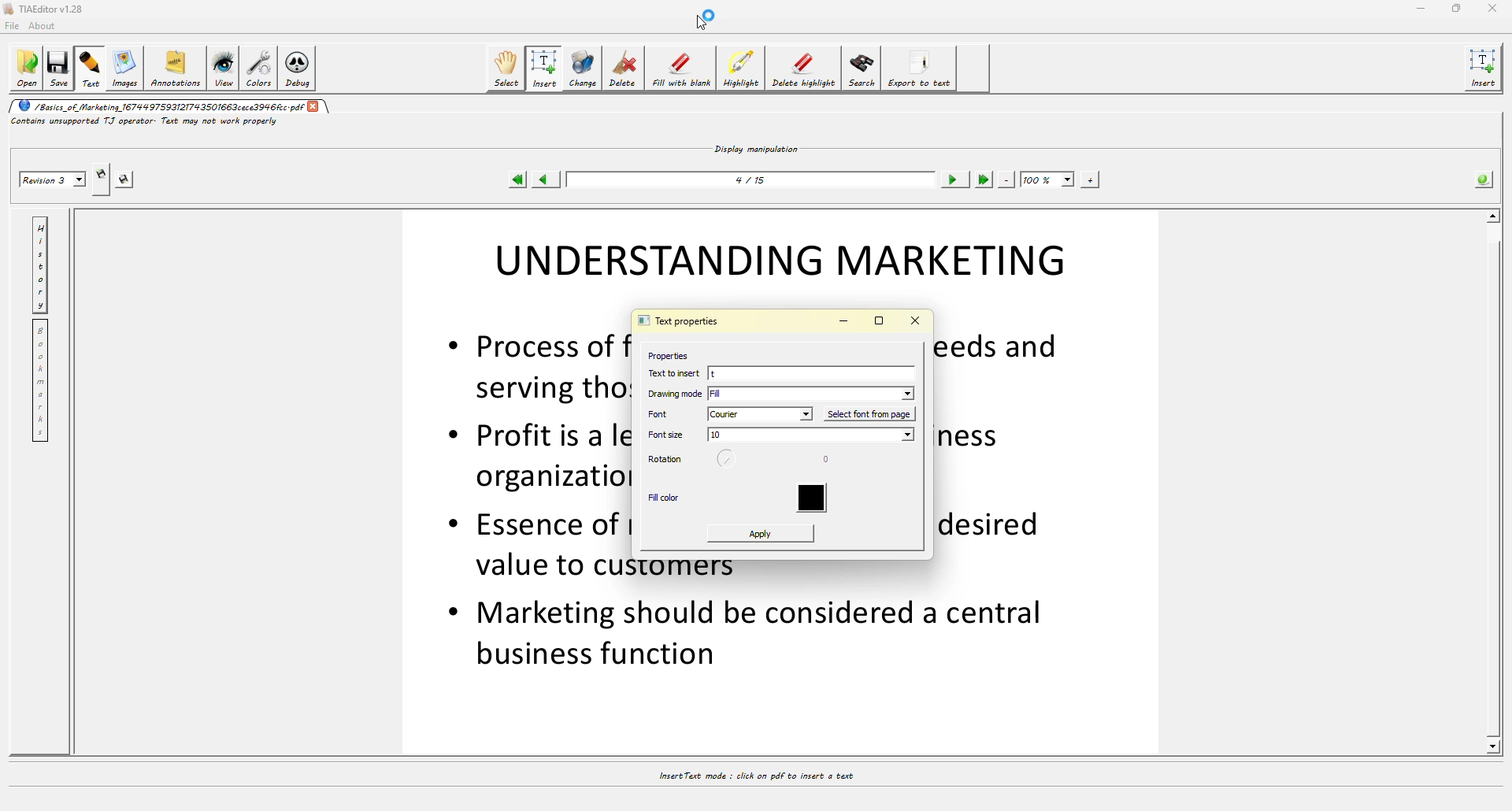 The image size is (1512, 811). What do you see at coordinates (682, 68) in the screenshot?
I see `fill with blank` at bounding box center [682, 68].